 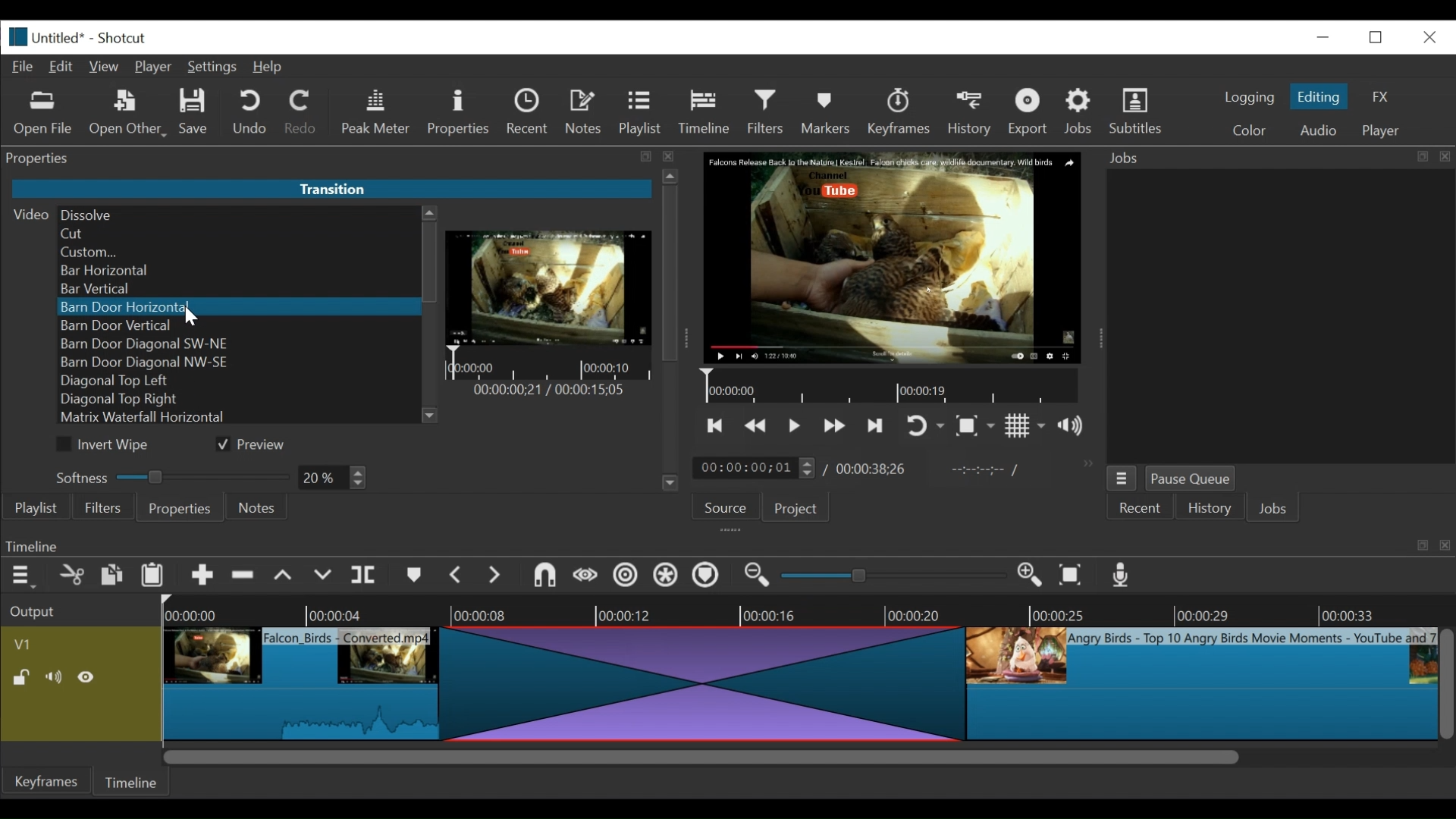 I want to click on Redo, so click(x=301, y=115).